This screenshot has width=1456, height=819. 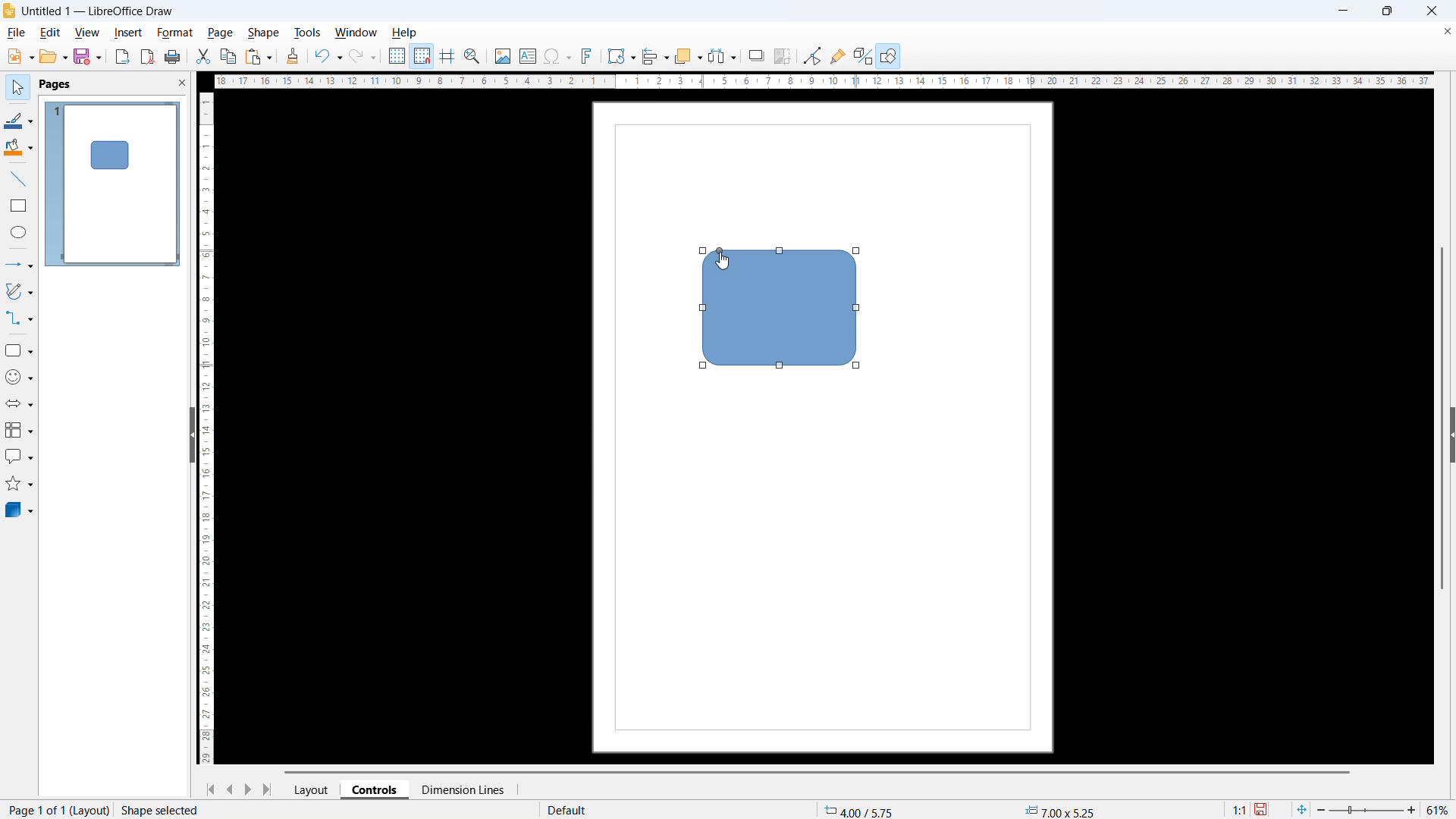 I want to click on Default, so click(x=570, y=810).